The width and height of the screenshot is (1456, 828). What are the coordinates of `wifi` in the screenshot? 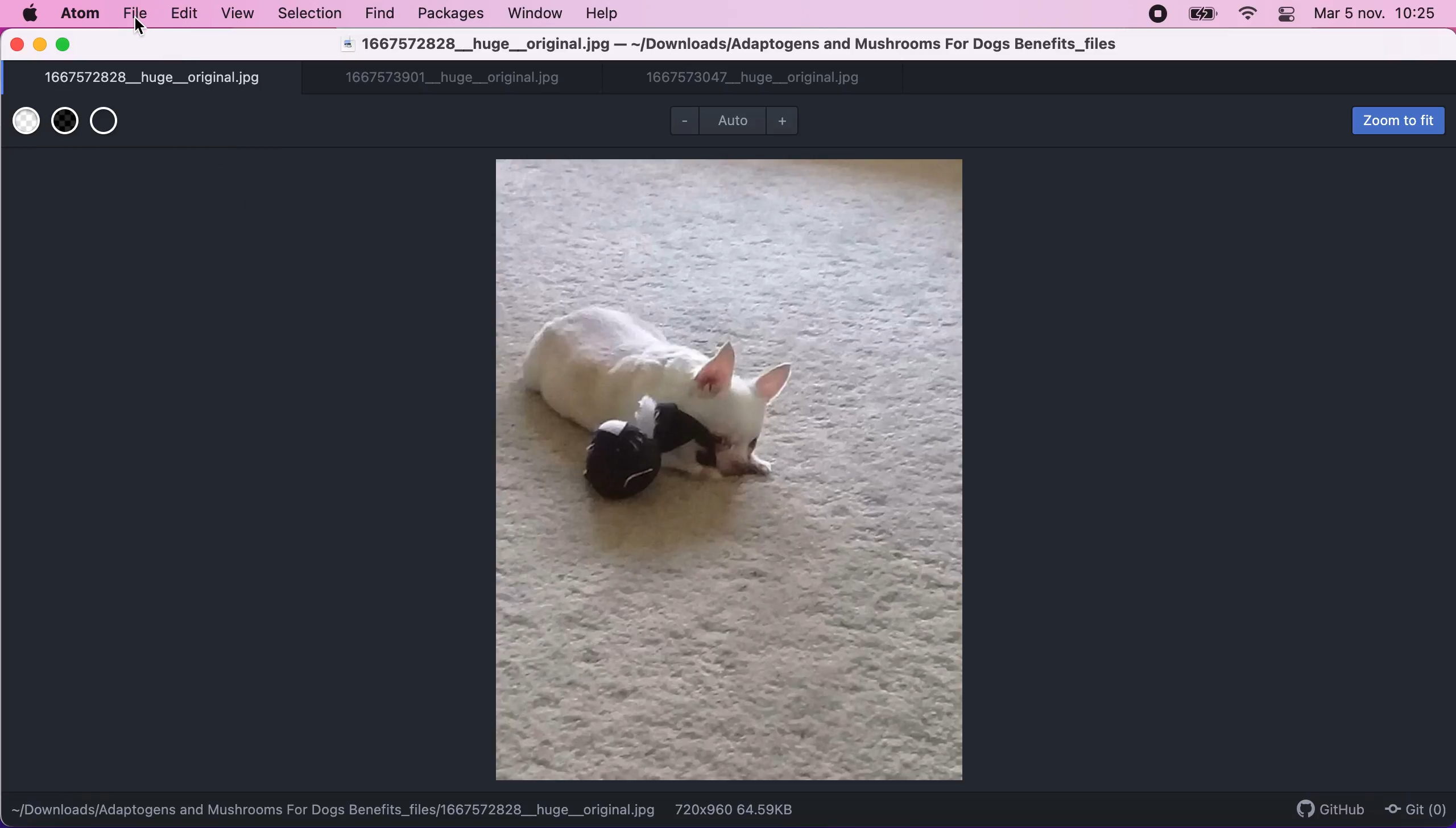 It's located at (1248, 15).